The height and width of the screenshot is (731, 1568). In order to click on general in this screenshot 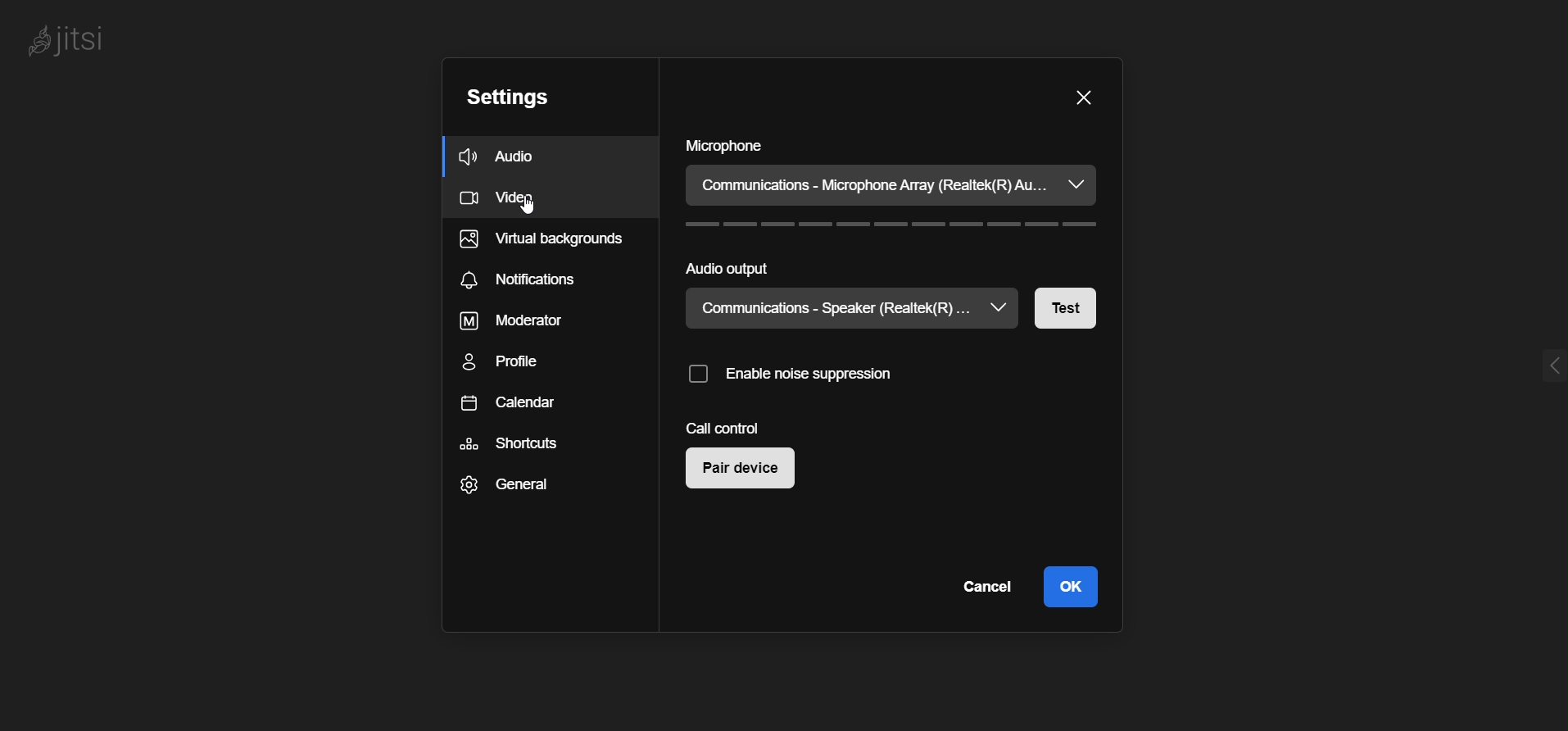, I will do `click(514, 487)`.